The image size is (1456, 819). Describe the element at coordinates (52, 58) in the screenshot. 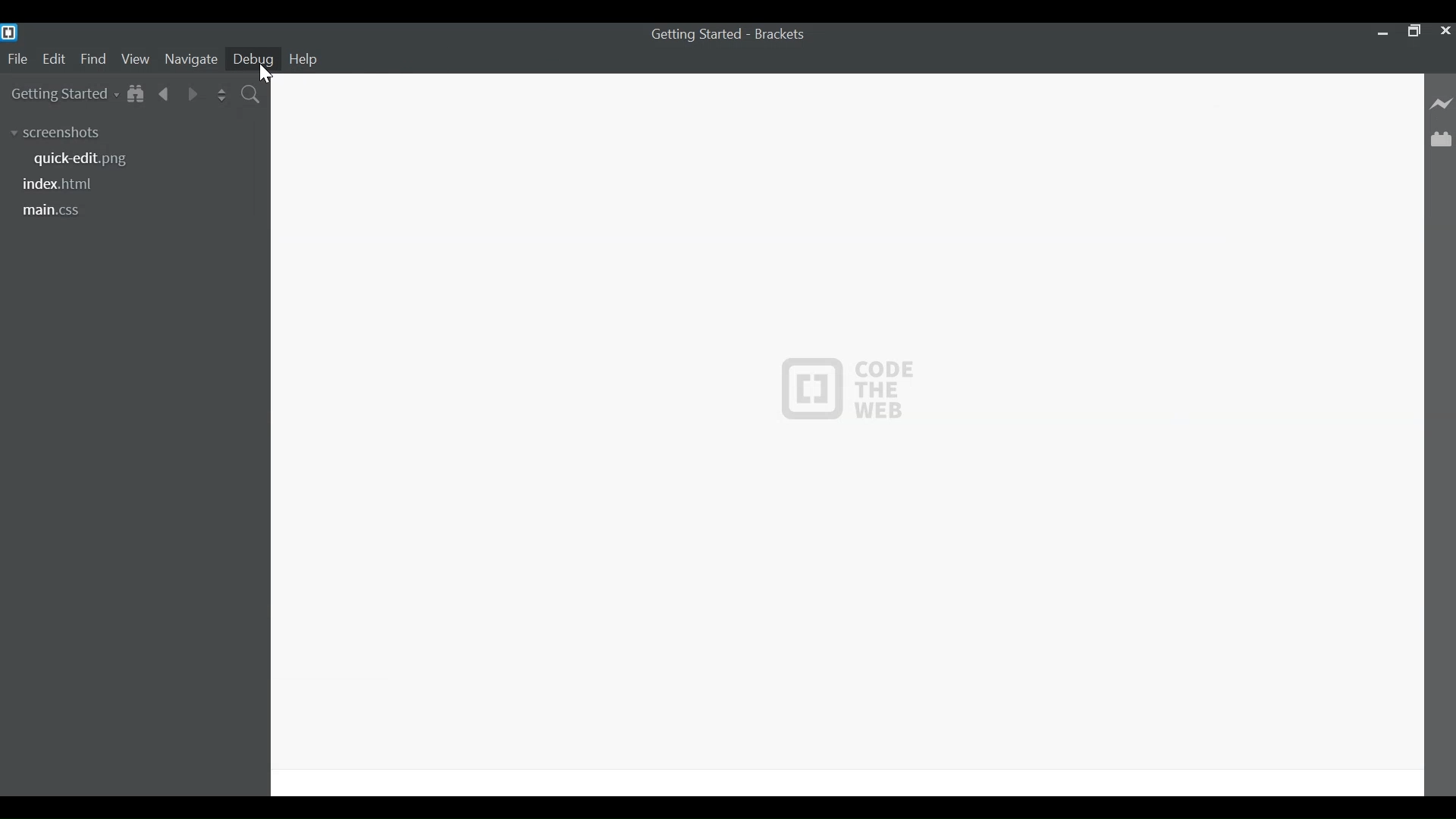

I see `Edit` at that location.